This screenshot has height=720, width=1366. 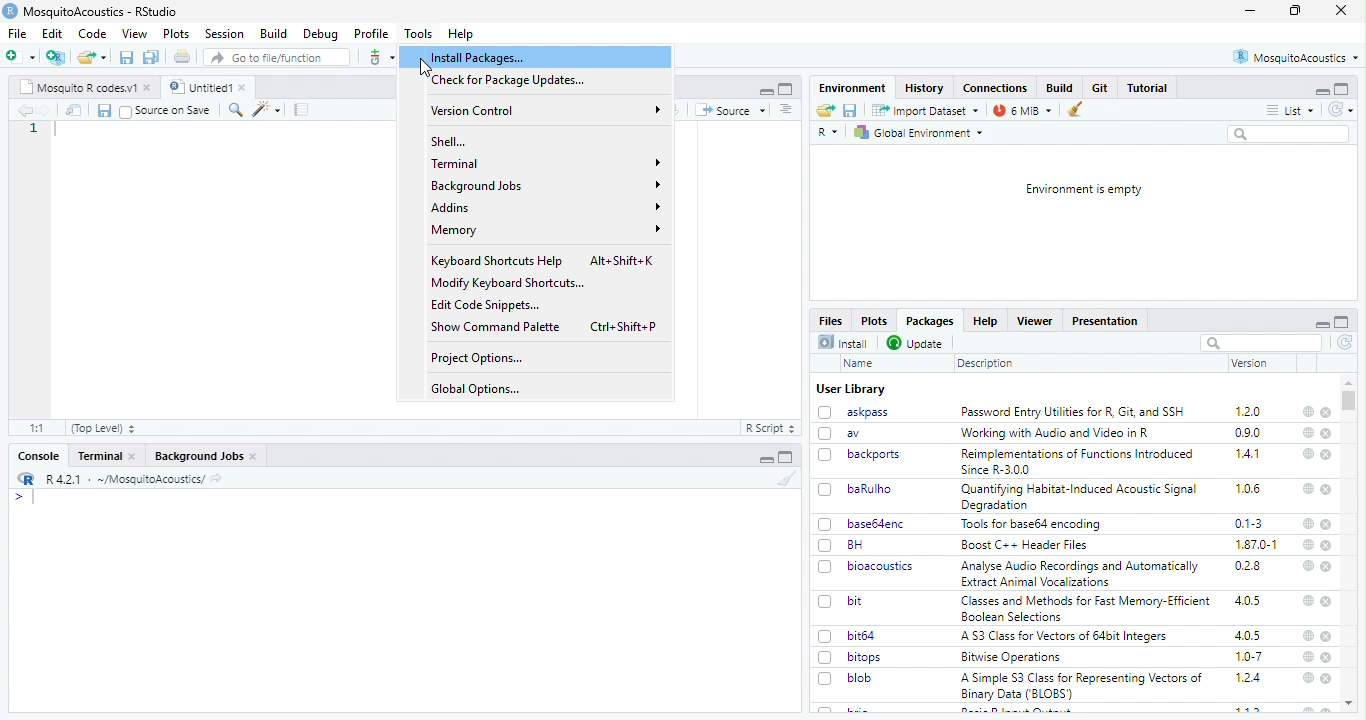 I want to click on checkbox, so click(x=826, y=525).